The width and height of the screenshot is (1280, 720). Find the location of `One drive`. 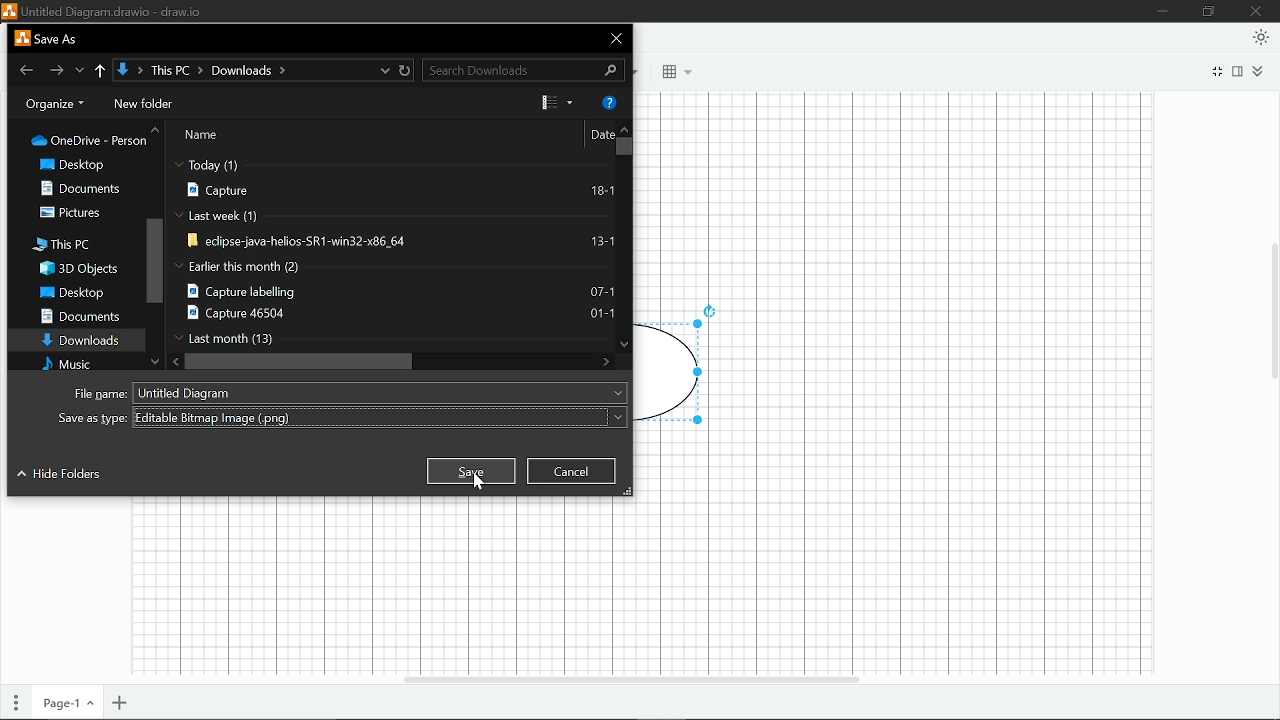

One drive is located at coordinates (91, 144).